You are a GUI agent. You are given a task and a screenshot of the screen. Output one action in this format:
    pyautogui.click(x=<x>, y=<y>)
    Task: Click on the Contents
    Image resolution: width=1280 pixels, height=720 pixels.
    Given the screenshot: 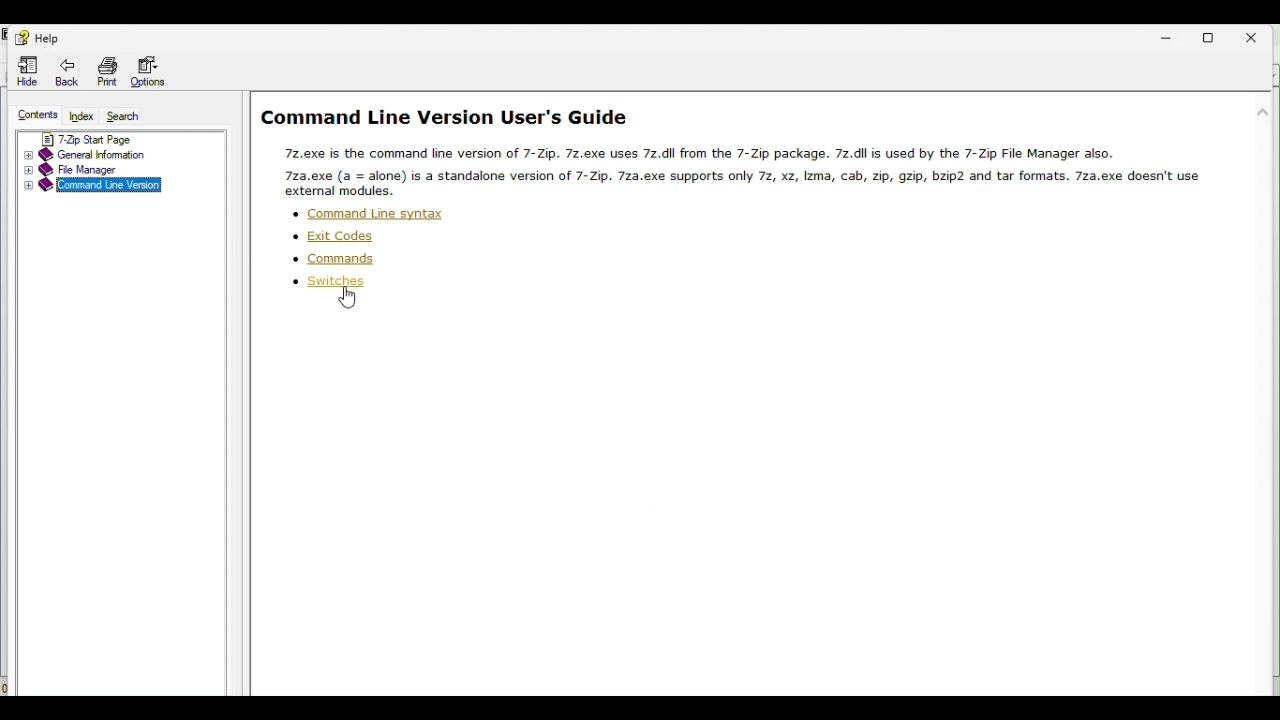 What is the action you would take?
    pyautogui.click(x=36, y=116)
    